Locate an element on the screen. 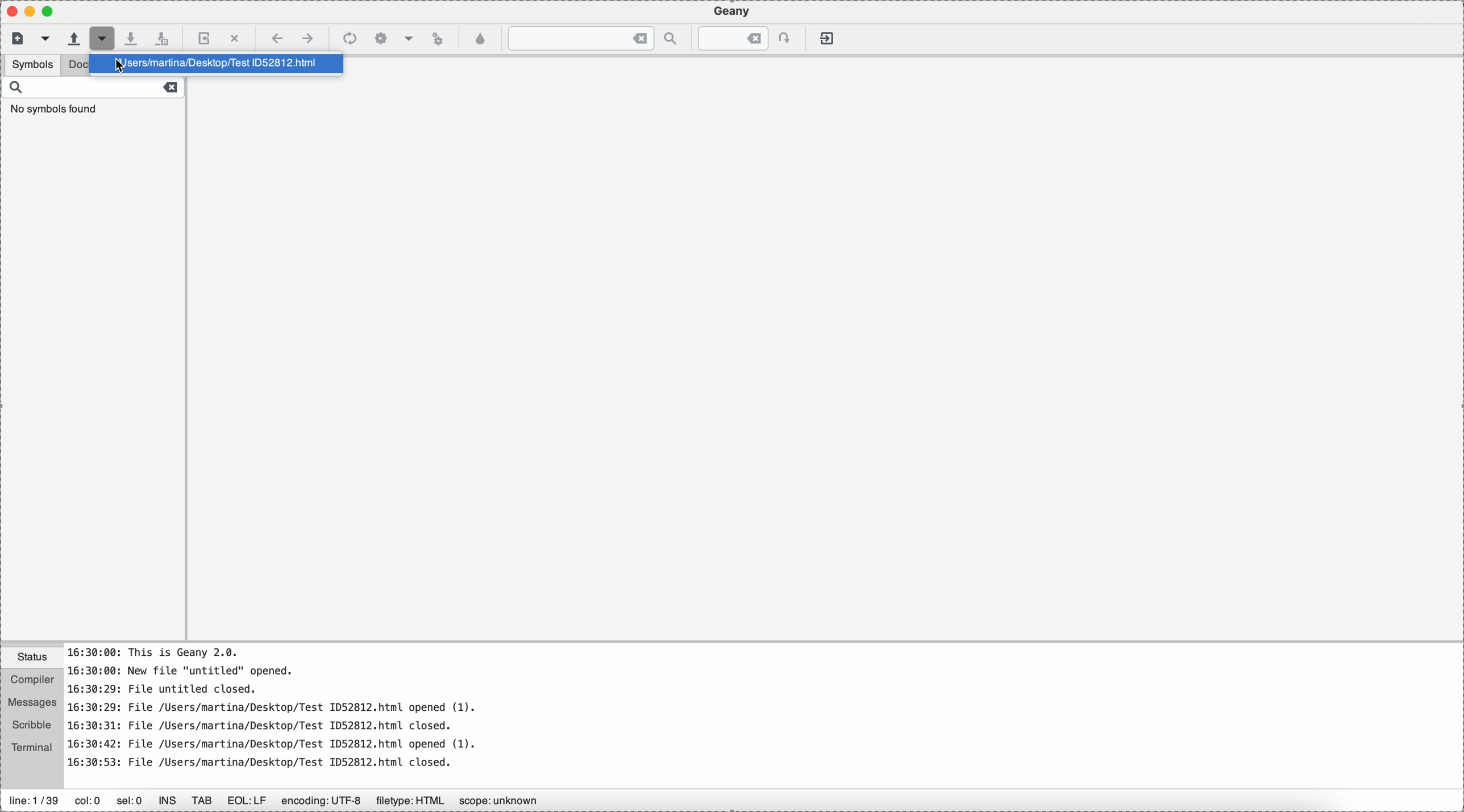 The image size is (1464, 812). save all open files is located at coordinates (165, 37).